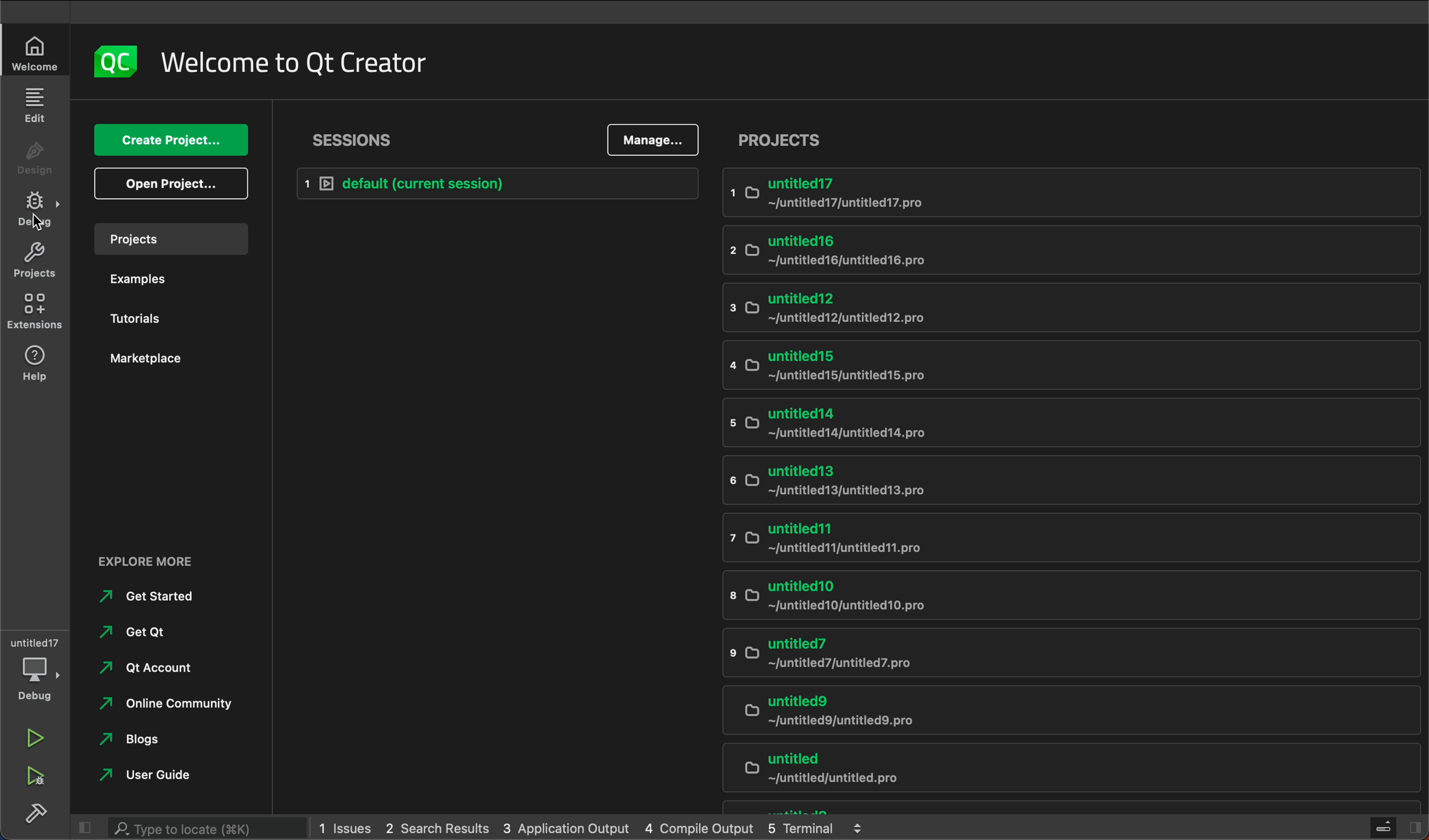 The width and height of the screenshot is (1429, 840). What do you see at coordinates (800, 826) in the screenshot?
I see `5 Terminal` at bounding box center [800, 826].